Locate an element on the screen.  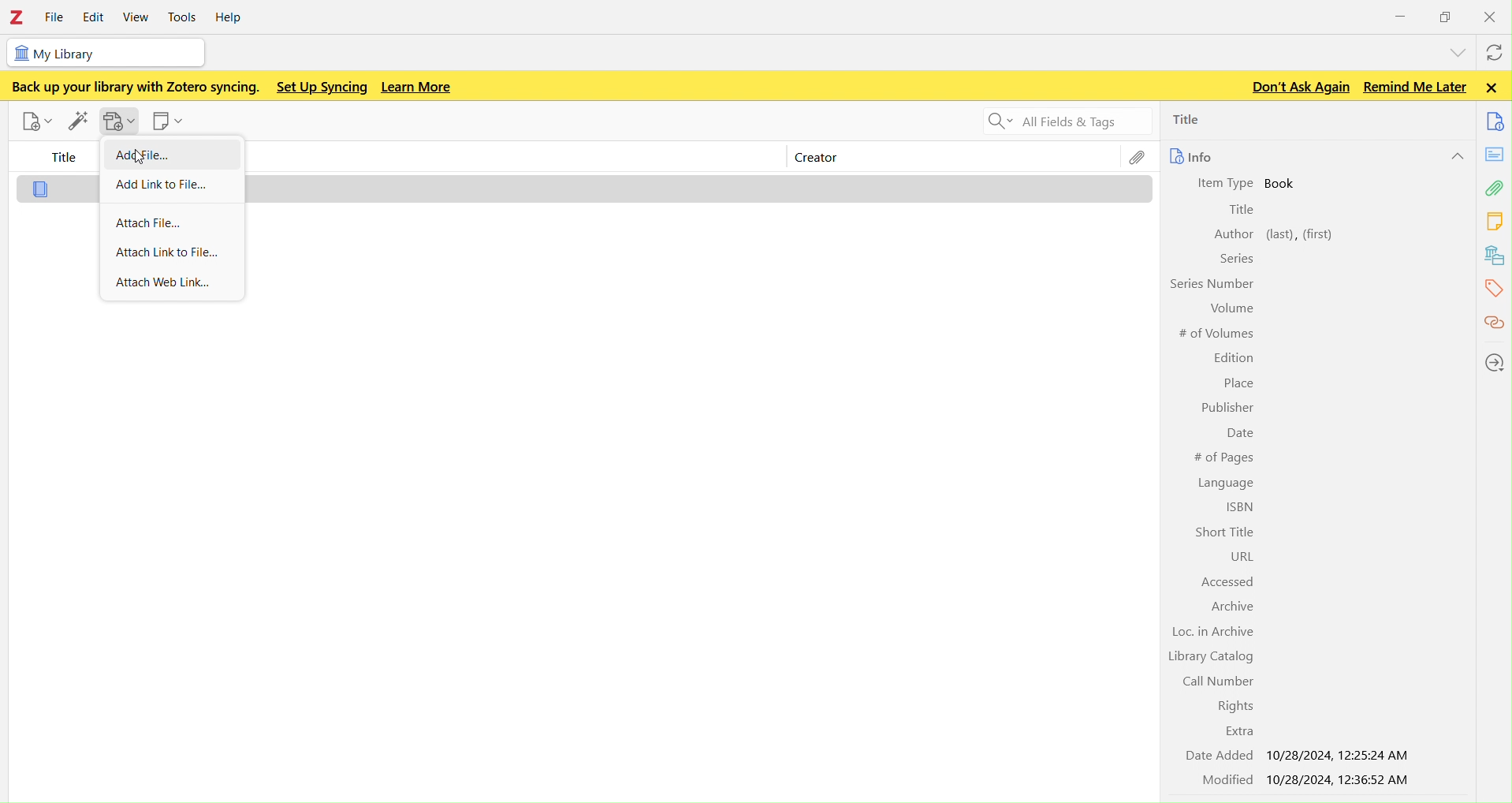
new item is located at coordinates (33, 120).